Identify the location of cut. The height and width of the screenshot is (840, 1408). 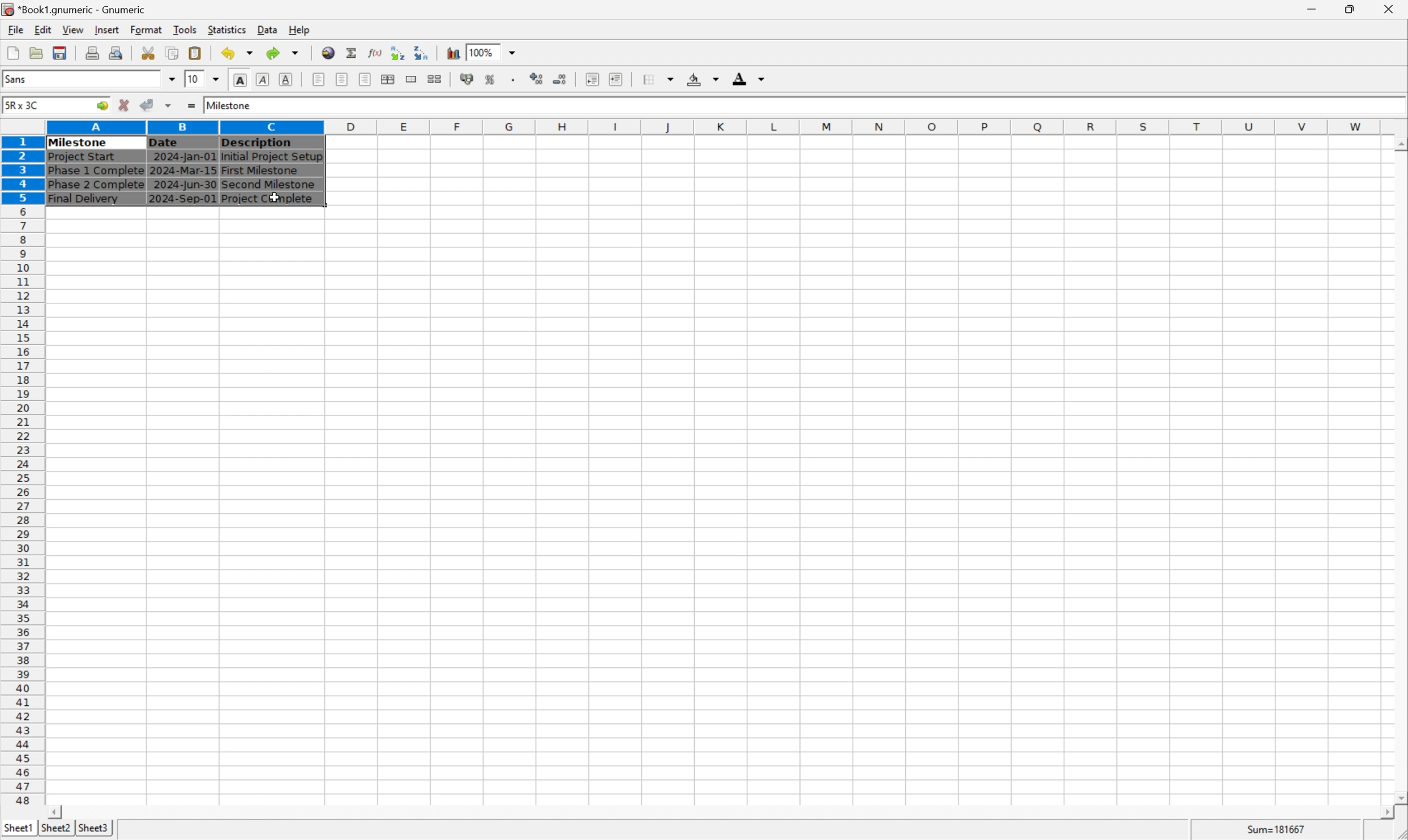
(149, 53).